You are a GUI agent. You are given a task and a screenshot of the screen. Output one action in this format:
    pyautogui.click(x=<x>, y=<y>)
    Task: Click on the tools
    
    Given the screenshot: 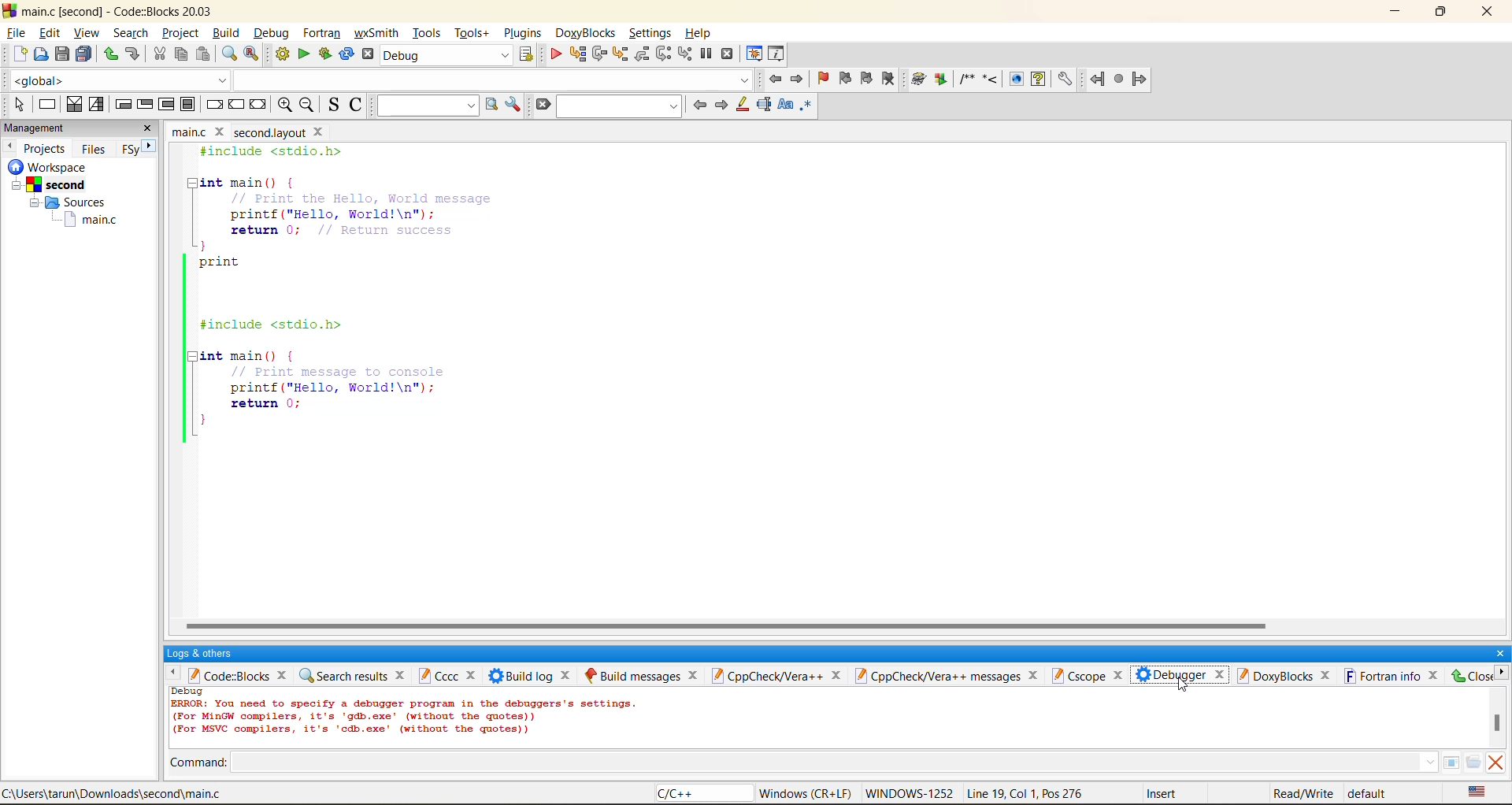 What is the action you would take?
    pyautogui.click(x=425, y=33)
    